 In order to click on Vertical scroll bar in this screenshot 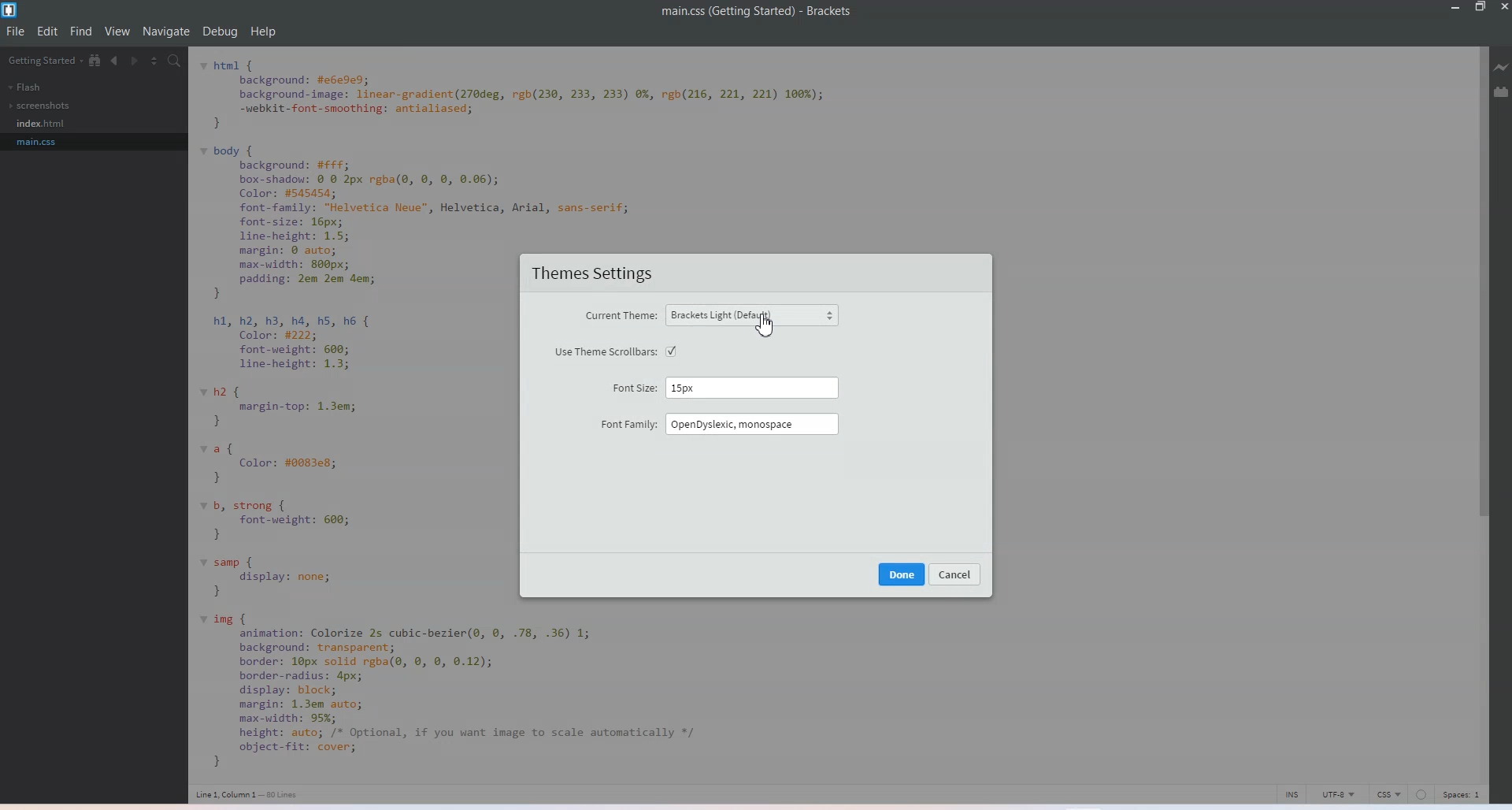, I will do `click(1479, 408)`.